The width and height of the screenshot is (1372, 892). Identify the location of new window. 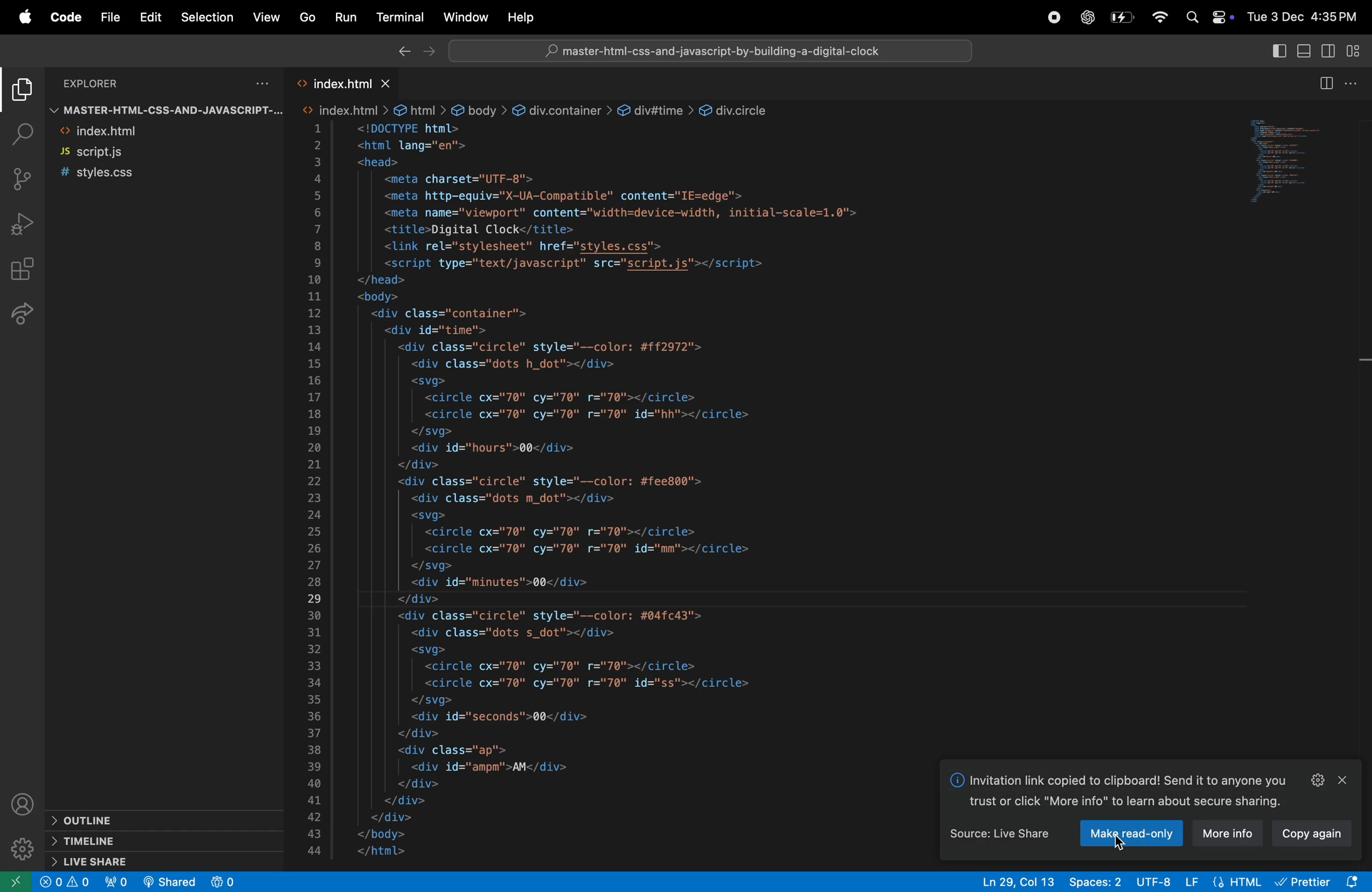
(13, 883).